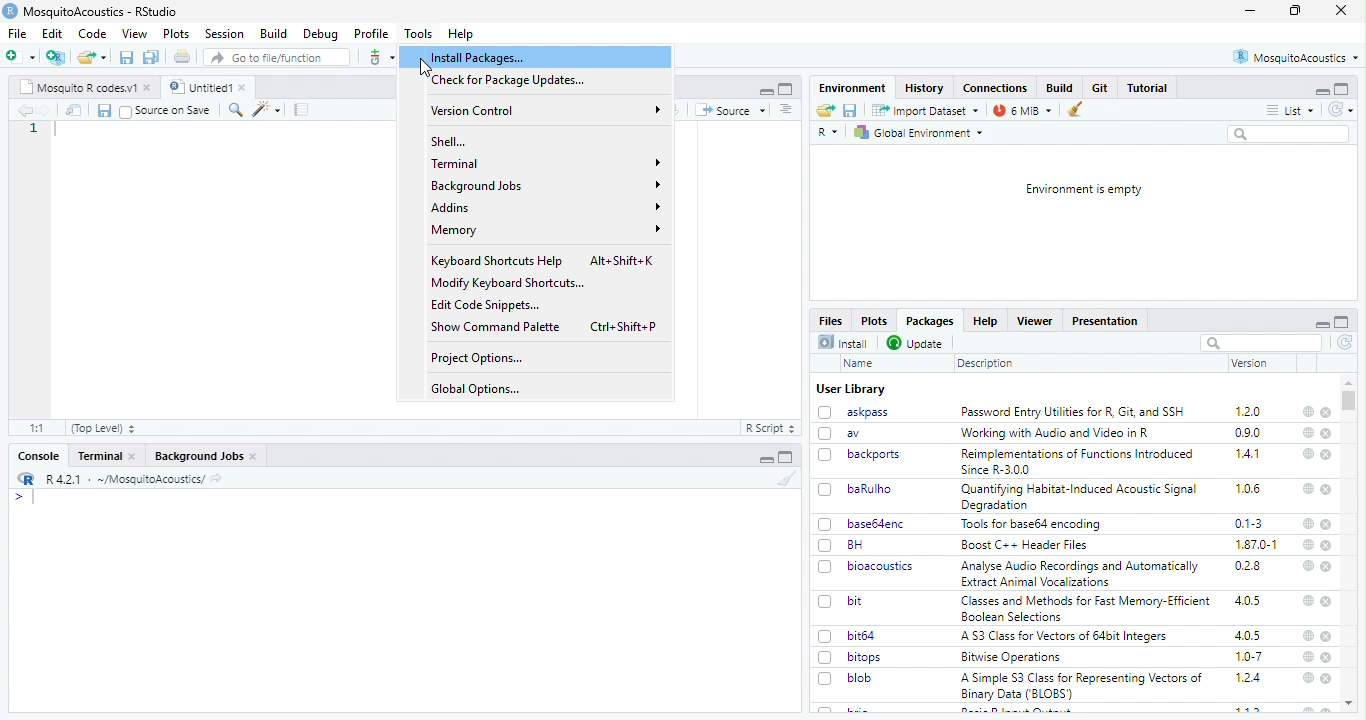  I want to click on Tools, so click(419, 34).